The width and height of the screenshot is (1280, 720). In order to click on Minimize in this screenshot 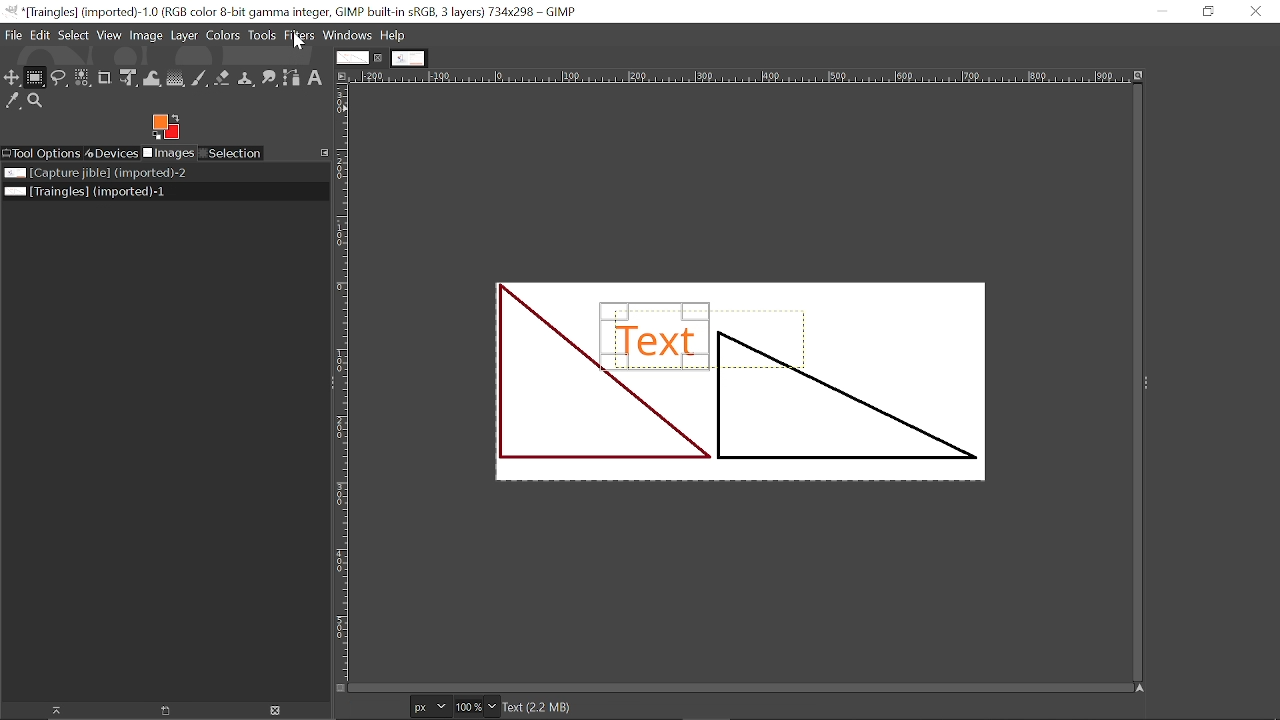, I will do `click(1157, 11)`.